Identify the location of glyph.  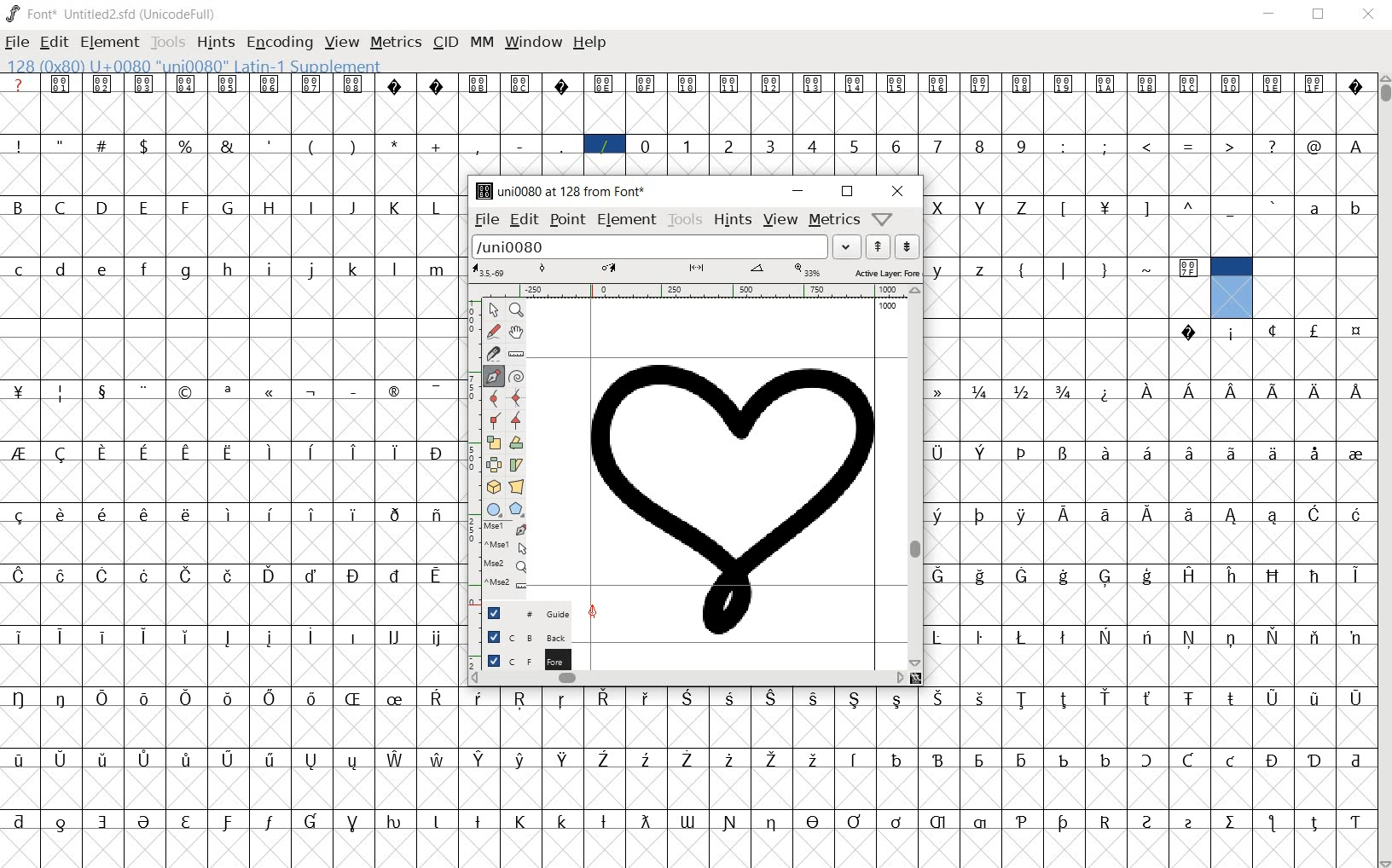
(1273, 761).